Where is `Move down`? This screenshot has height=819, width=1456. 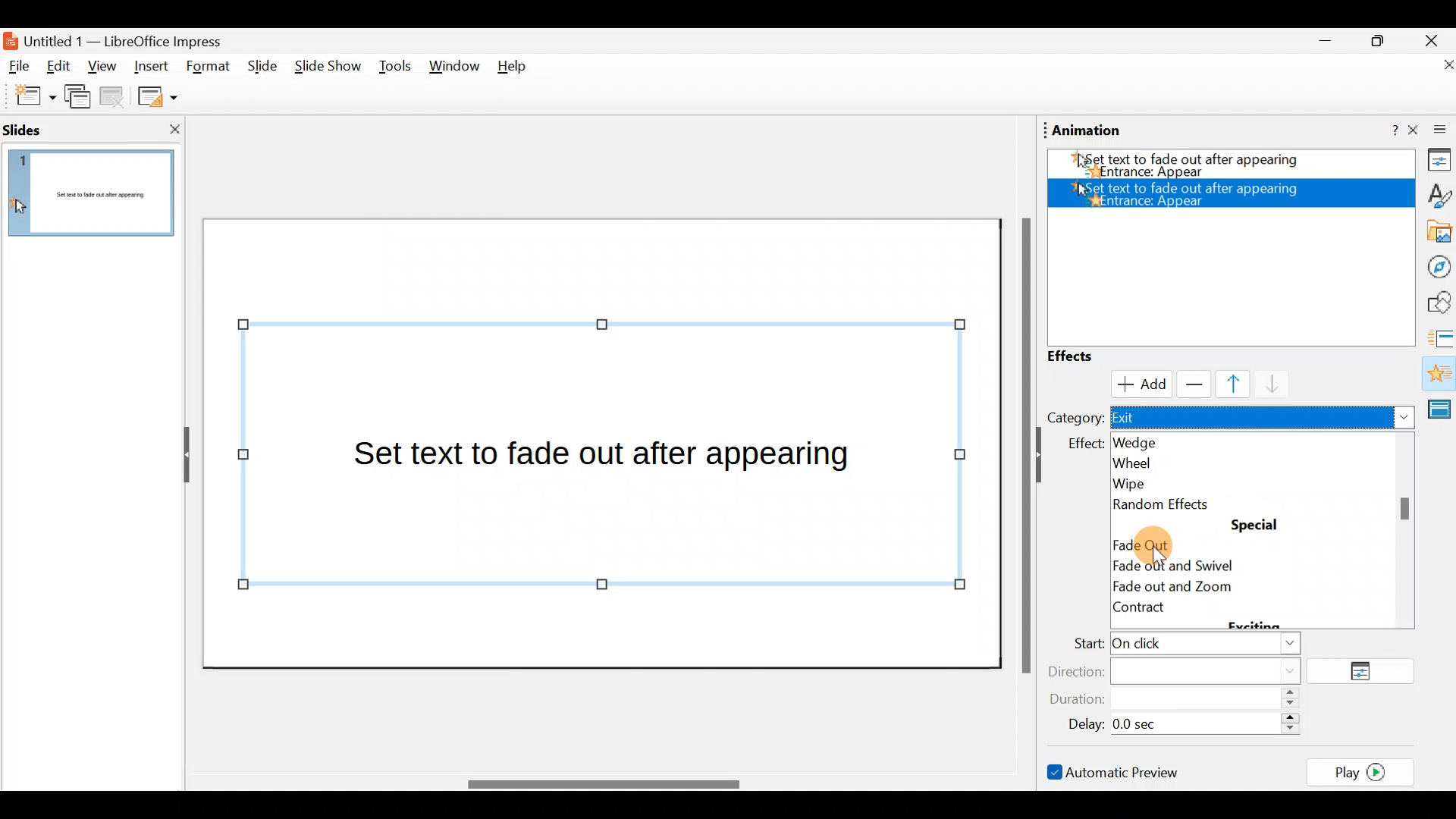
Move down is located at coordinates (1266, 385).